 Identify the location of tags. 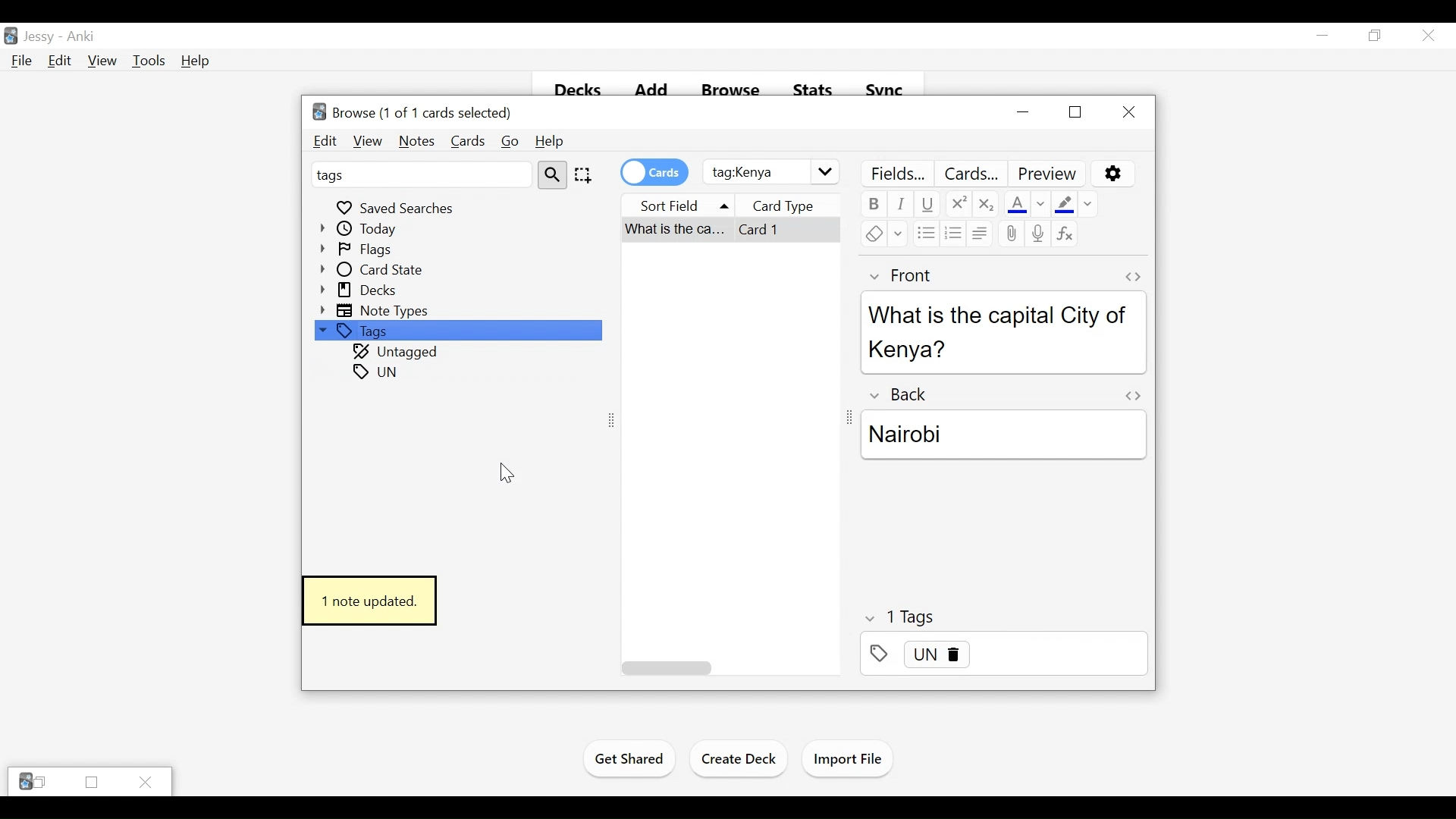
(899, 619).